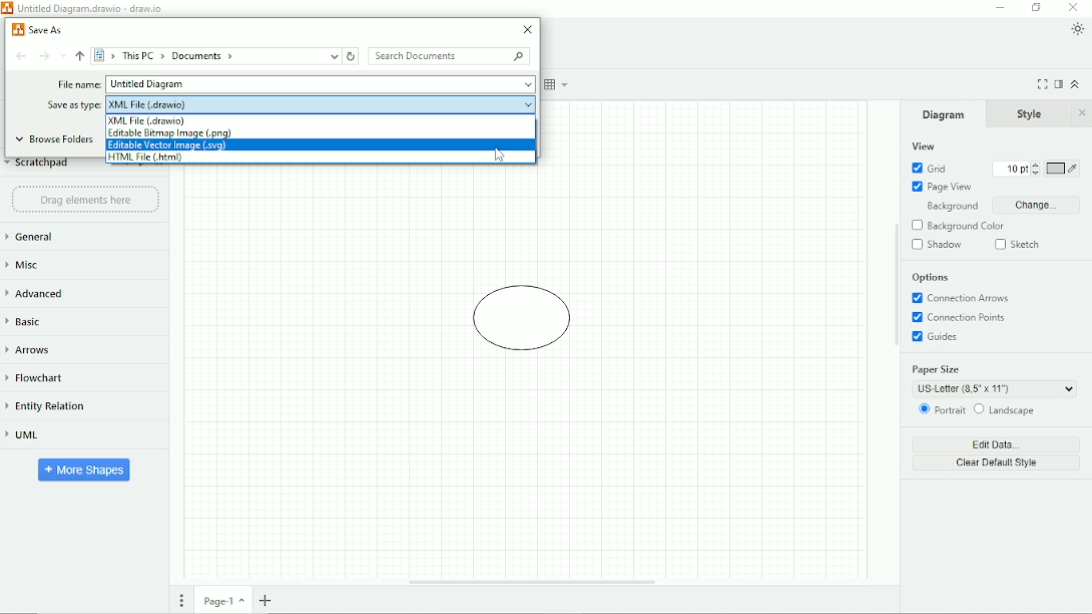  I want to click on Up to "This PC", so click(81, 58).